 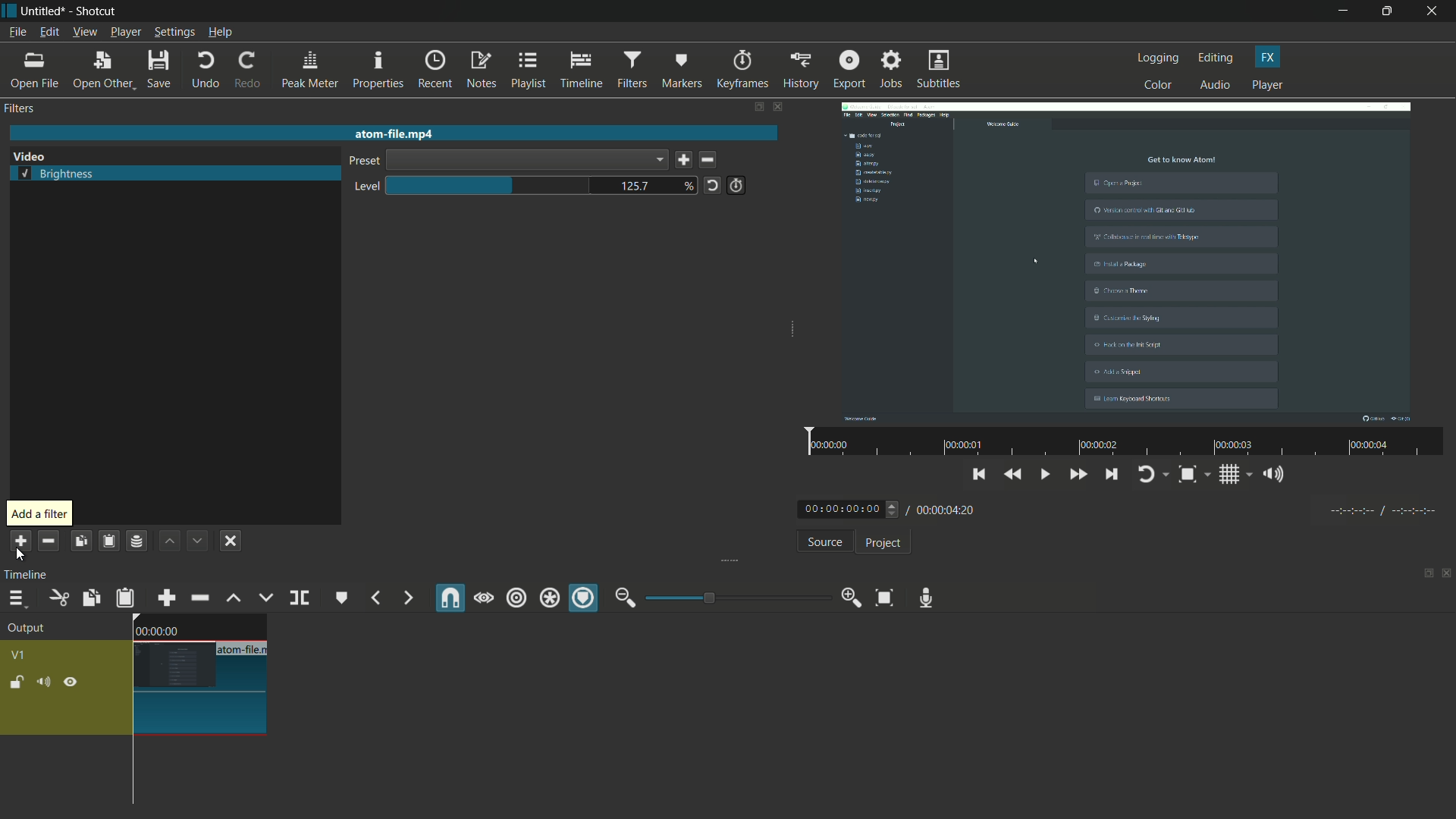 I want to click on use keyframes for this parameter, so click(x=736, y=185).